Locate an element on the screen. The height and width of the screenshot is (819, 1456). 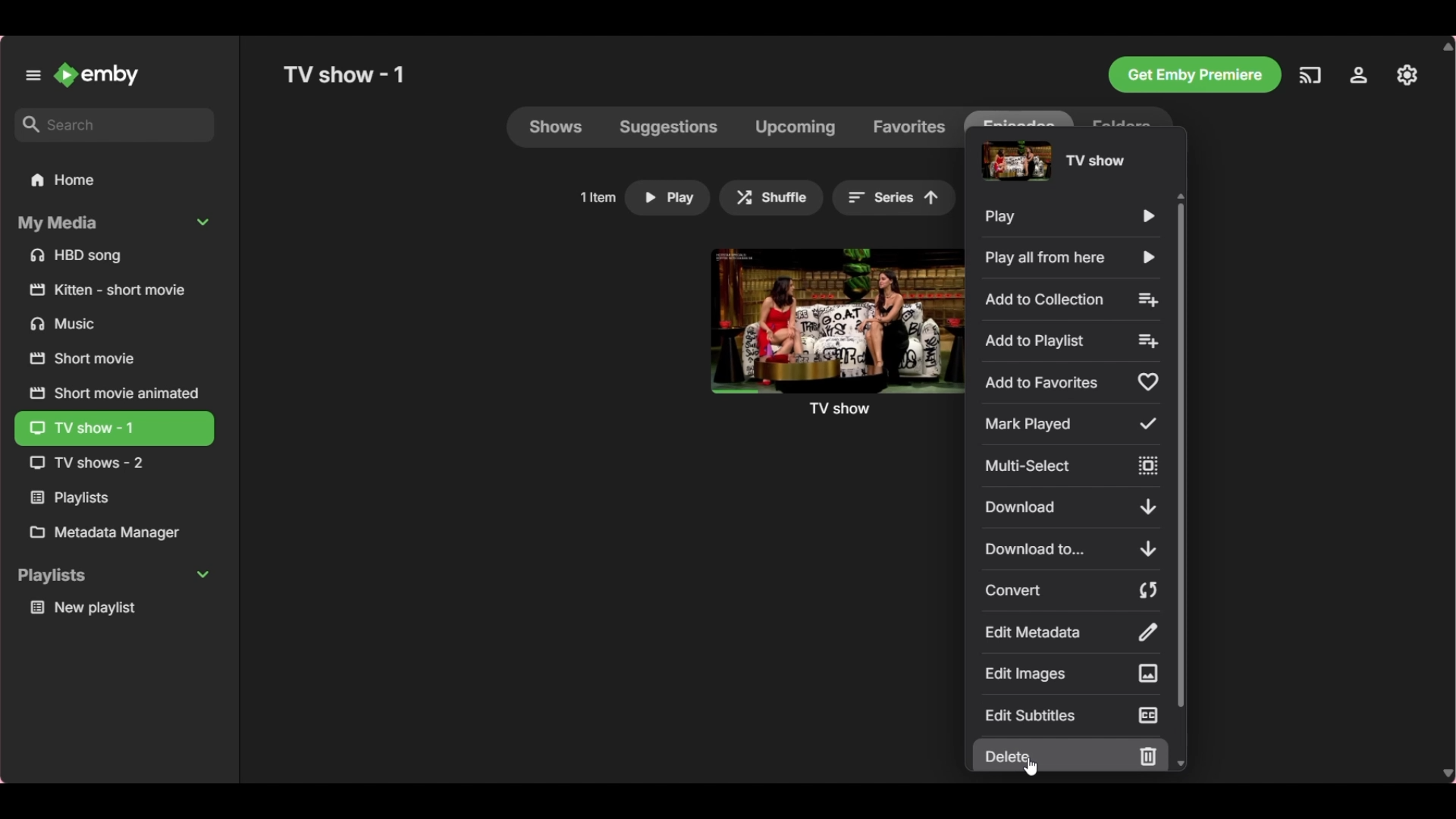
Media under Playlists is located at coordinates (115, 607).